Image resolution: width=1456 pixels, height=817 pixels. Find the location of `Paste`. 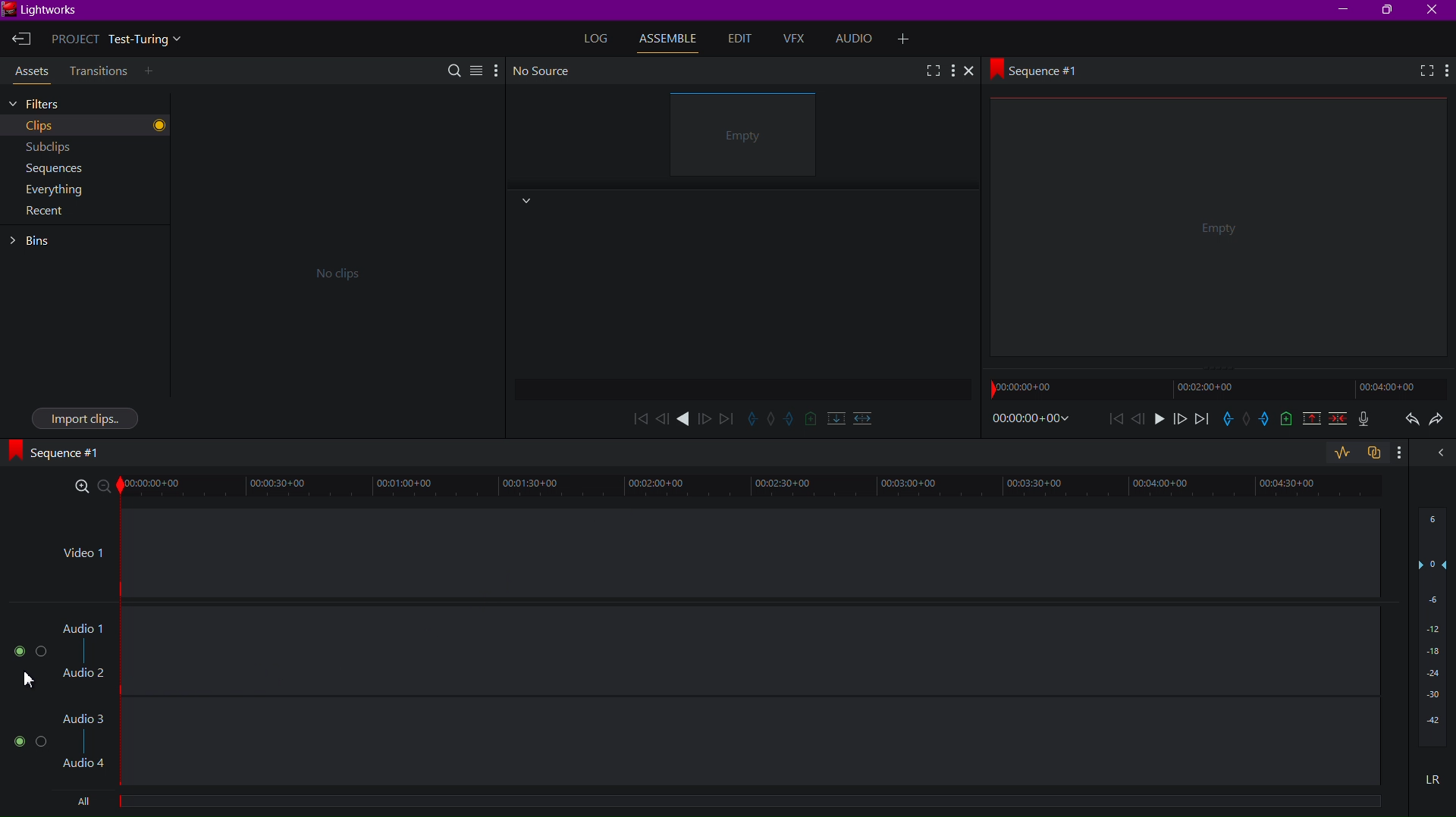

Paste is located at coordinates (1376, 454).